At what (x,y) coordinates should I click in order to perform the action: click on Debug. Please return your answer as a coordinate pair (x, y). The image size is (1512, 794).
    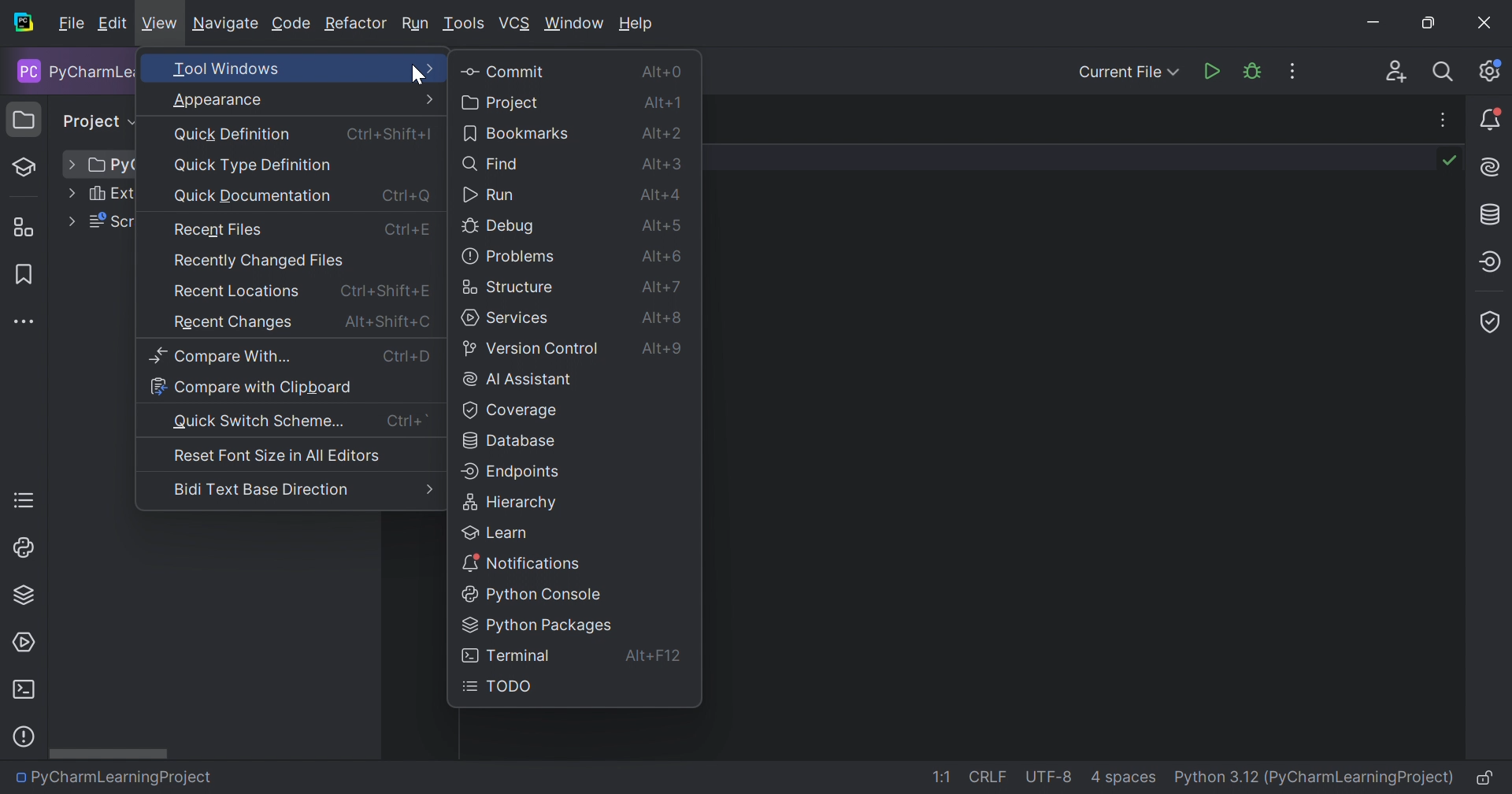
    Looking at the image, I should click on (501, 228).